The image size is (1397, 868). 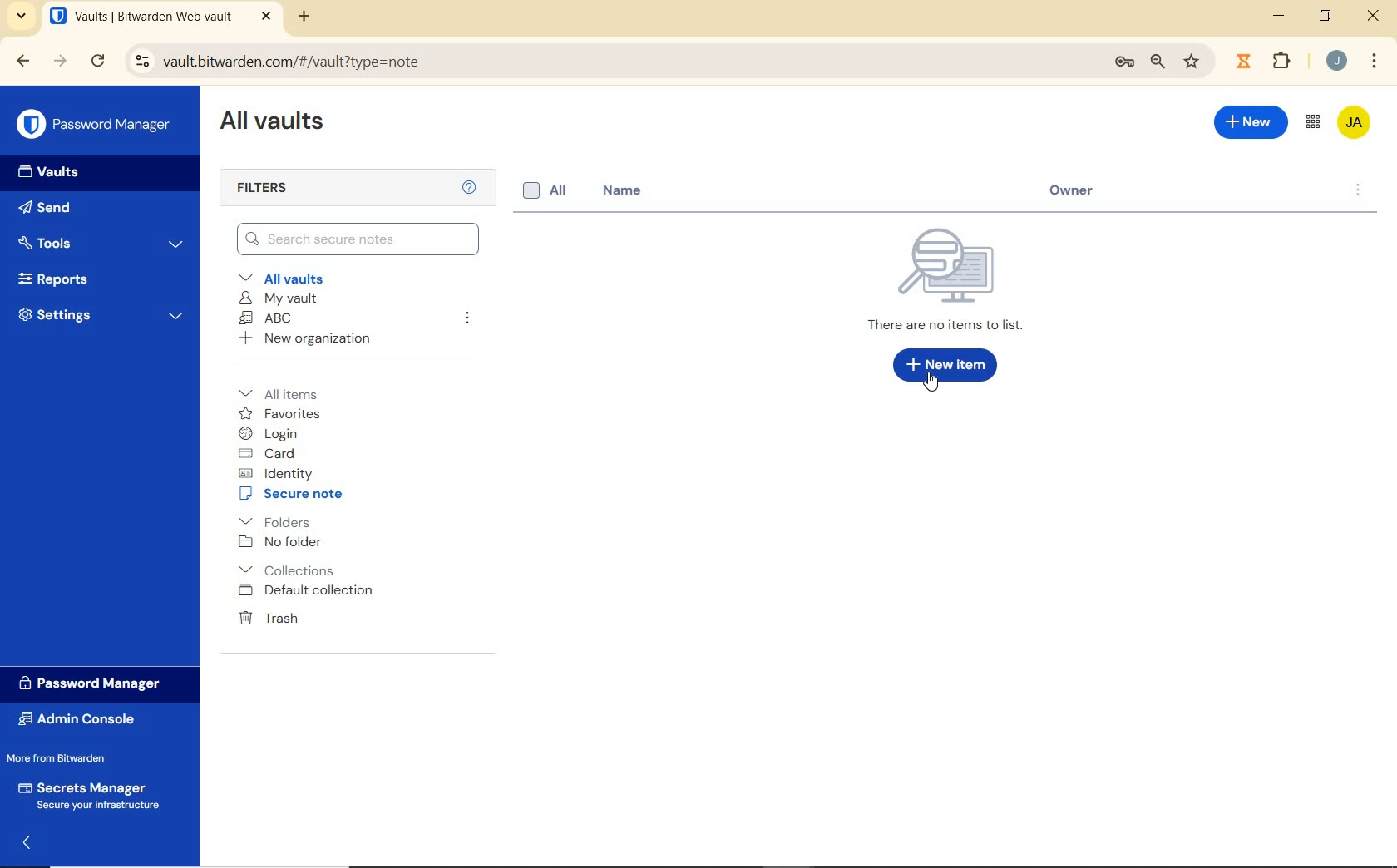 What do you see at coordinates (95, 277) in the screenshot?
I see `Reports` at bounding box center [95, 277].